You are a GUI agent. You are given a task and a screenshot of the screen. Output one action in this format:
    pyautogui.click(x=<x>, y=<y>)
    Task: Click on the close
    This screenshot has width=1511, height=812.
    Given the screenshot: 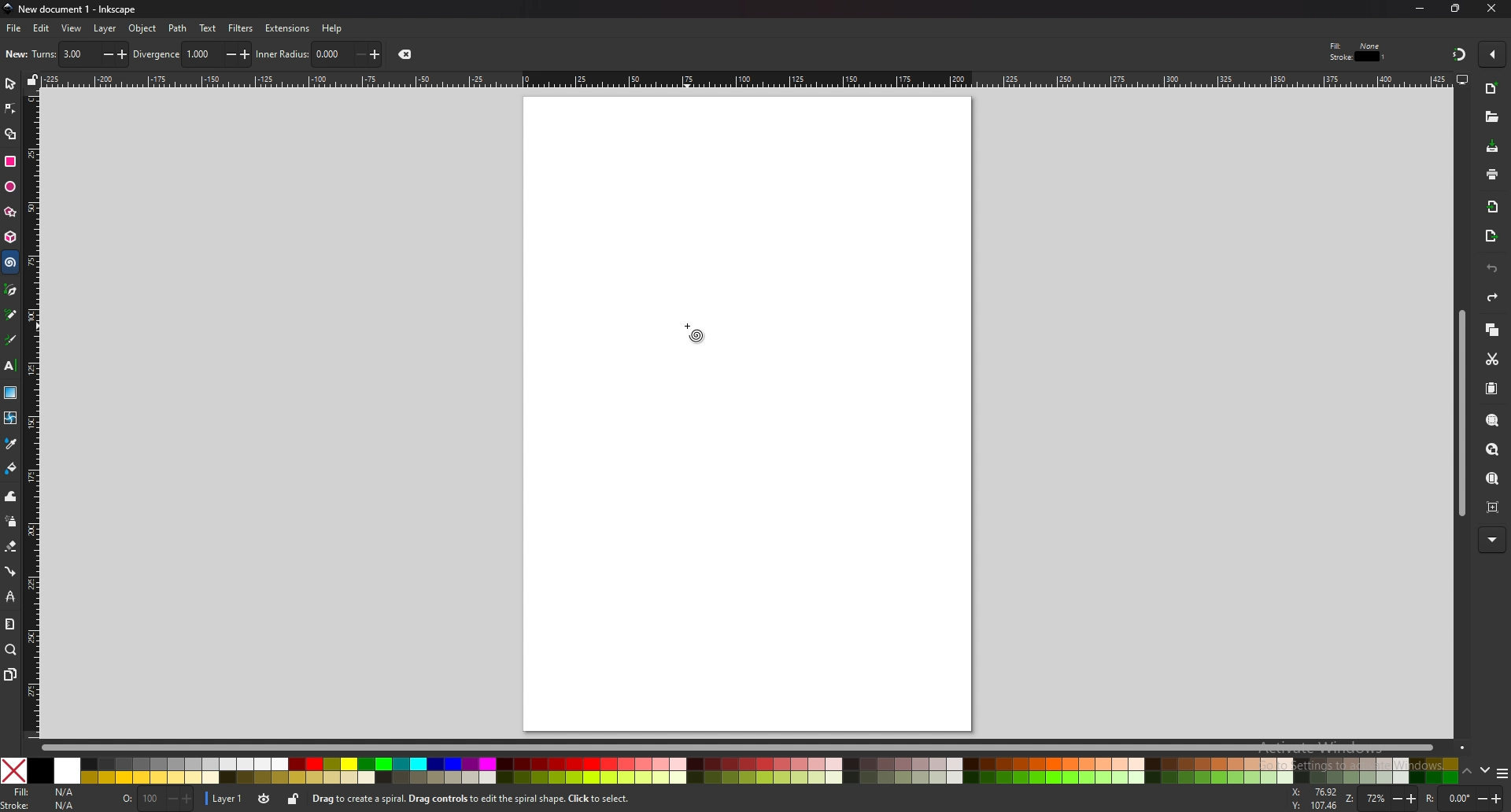 What is the action you would take?
    pyautogui.click(x=1491, y=9)
    